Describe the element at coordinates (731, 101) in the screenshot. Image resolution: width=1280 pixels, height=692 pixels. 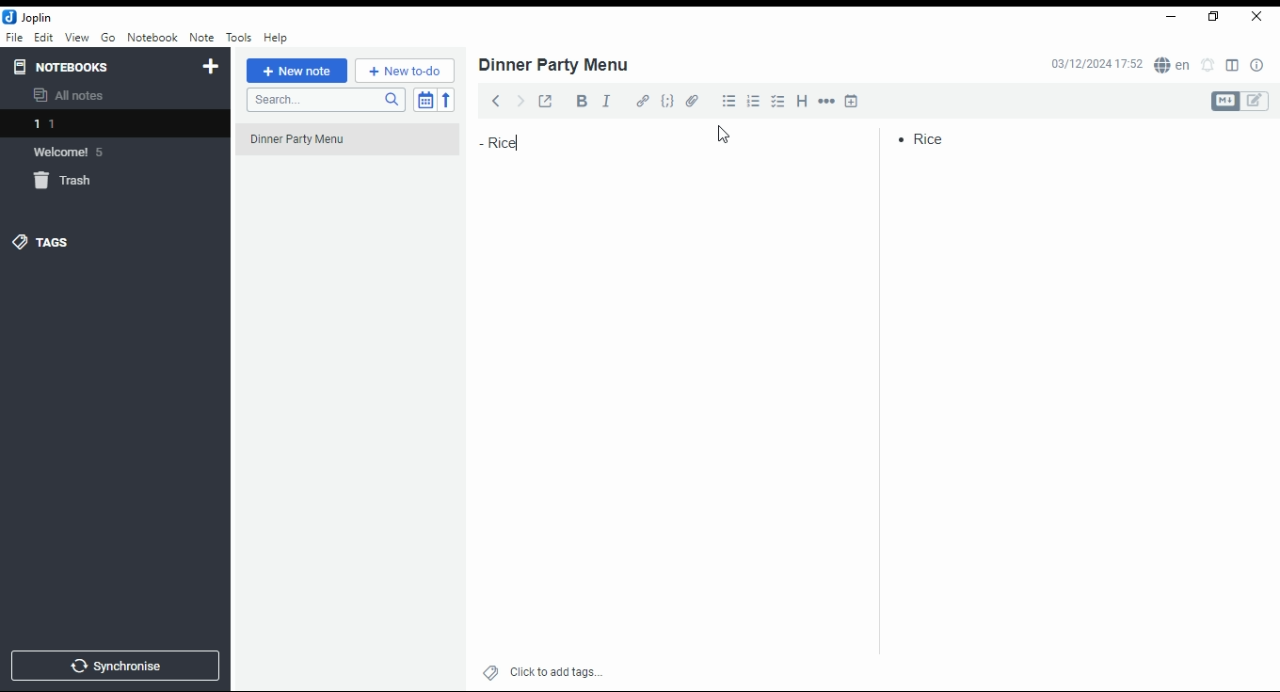
I see `bullet list` at that location.